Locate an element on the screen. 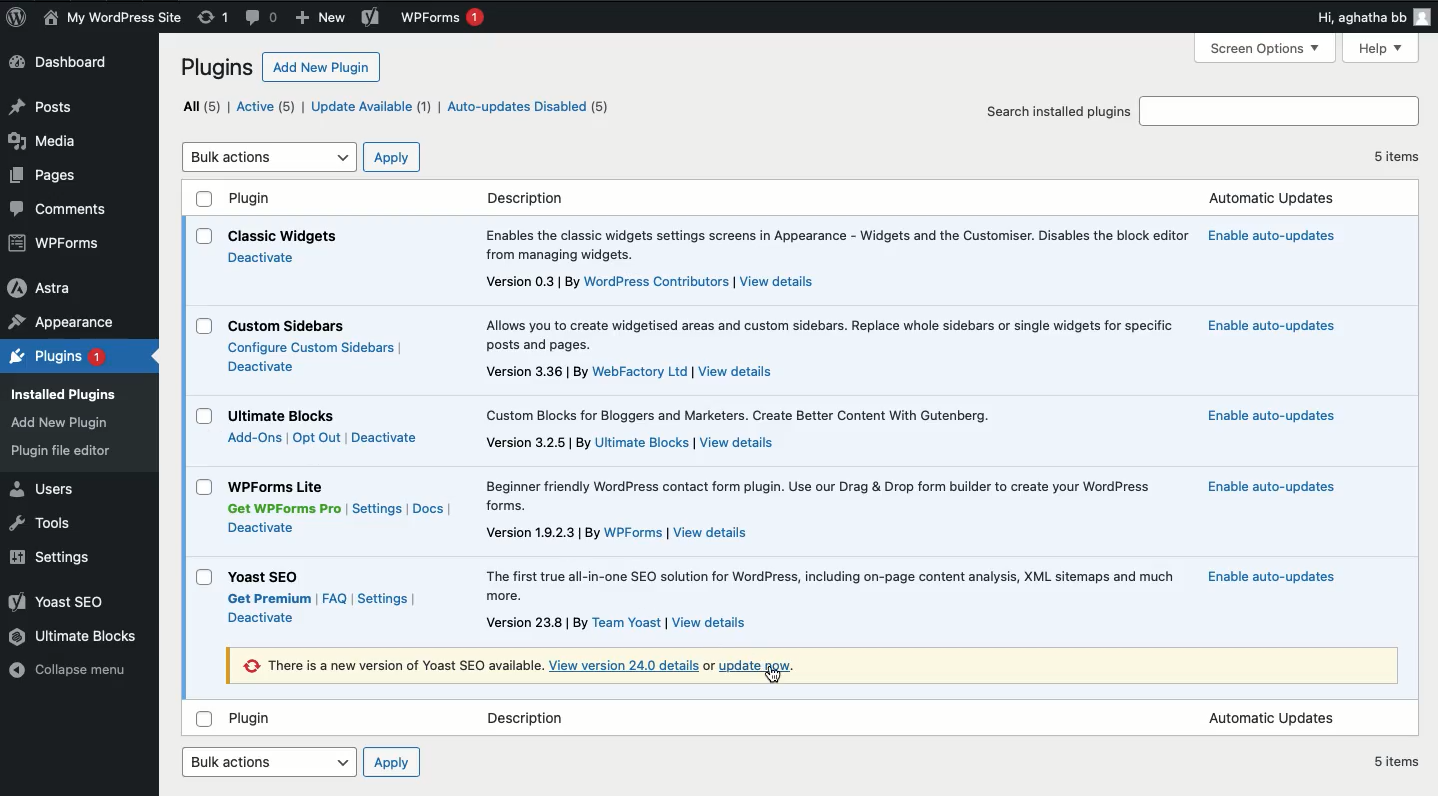  Plugins is located at coordinates (62, 424).